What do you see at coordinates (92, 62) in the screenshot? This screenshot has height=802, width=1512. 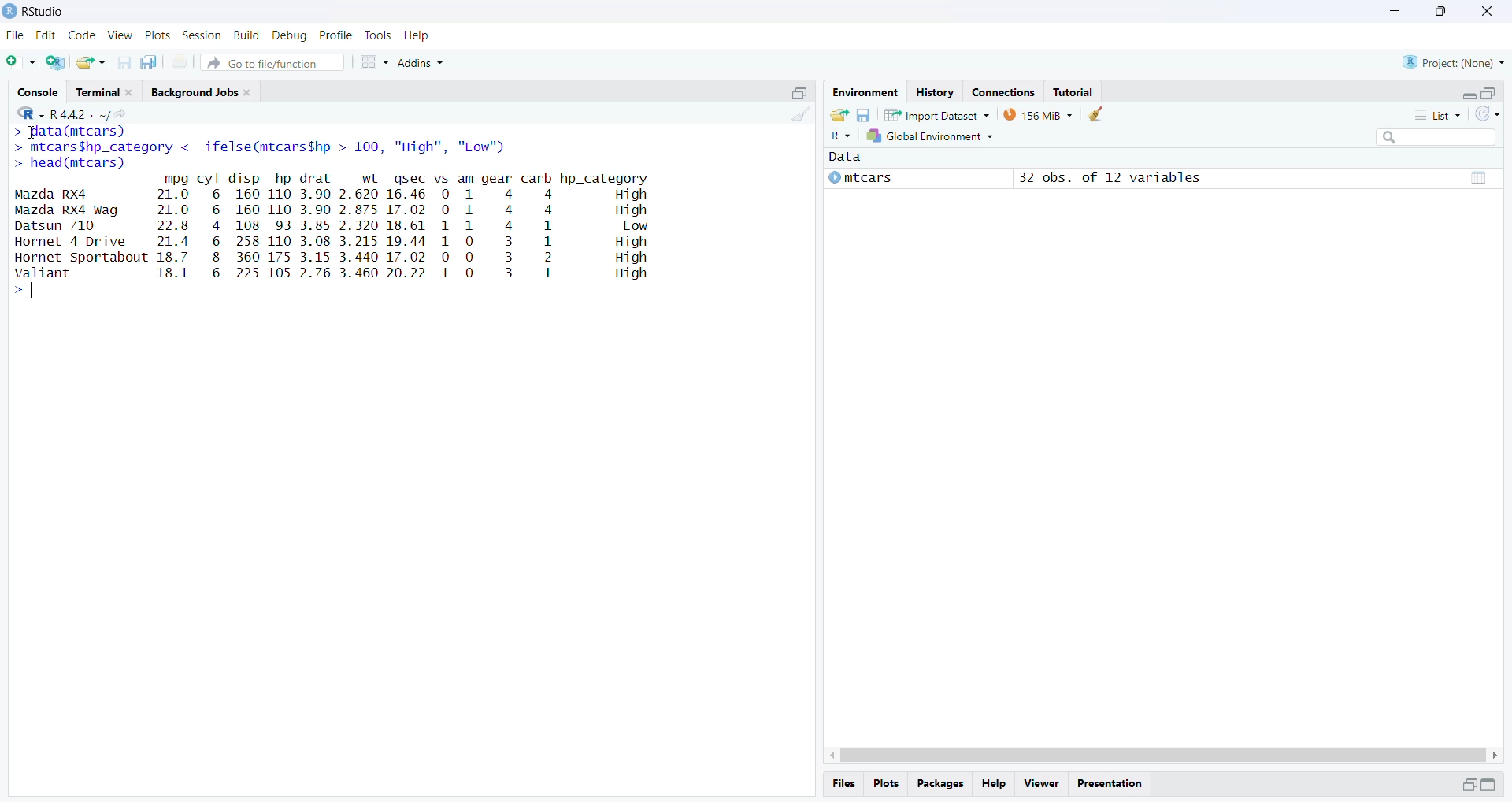 I see `Open an existing file (Ctrl + O)` at bounding box center [92, 62].